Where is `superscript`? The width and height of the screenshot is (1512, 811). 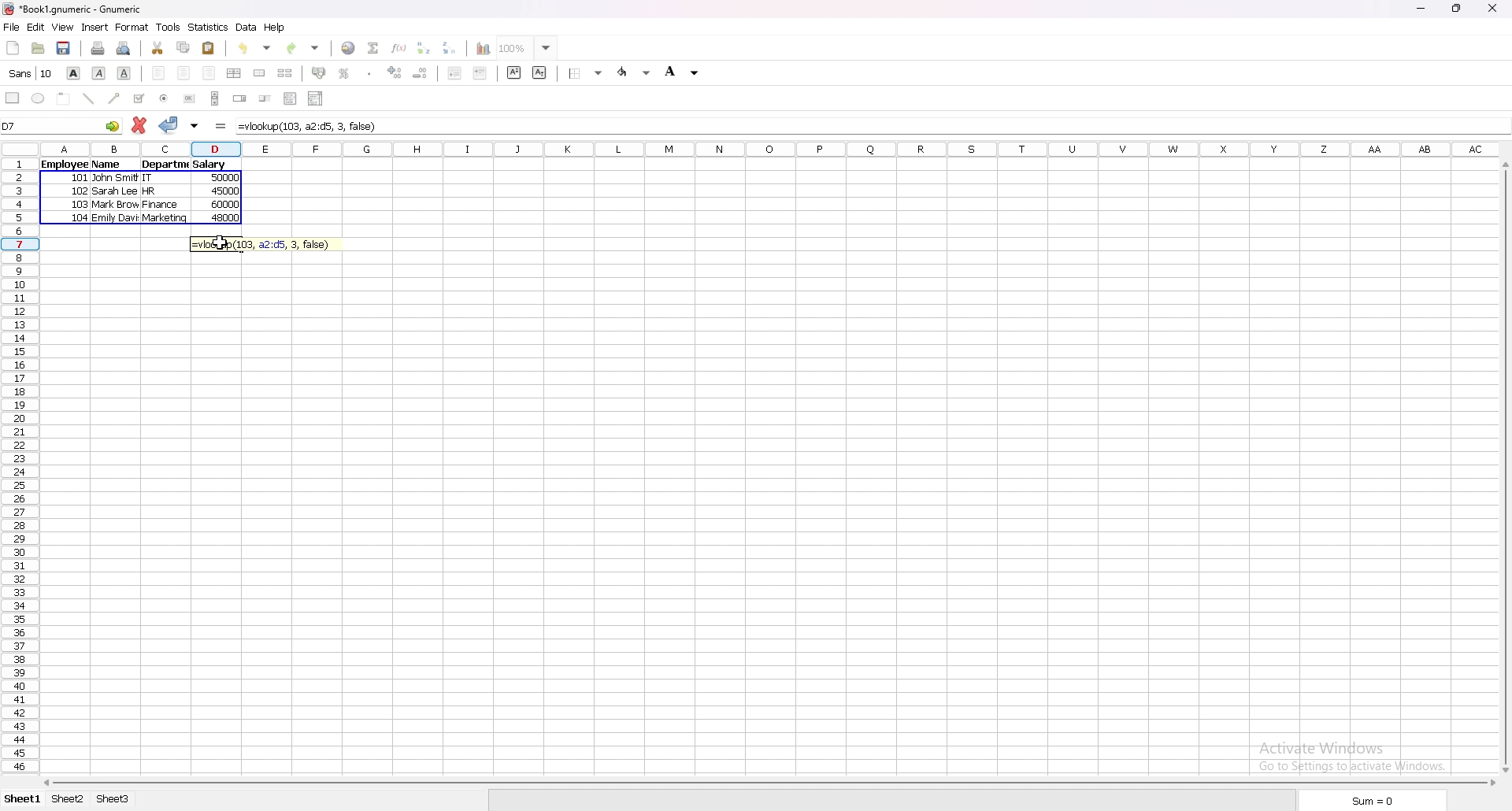 superscript is located at coordinates (514, 72).